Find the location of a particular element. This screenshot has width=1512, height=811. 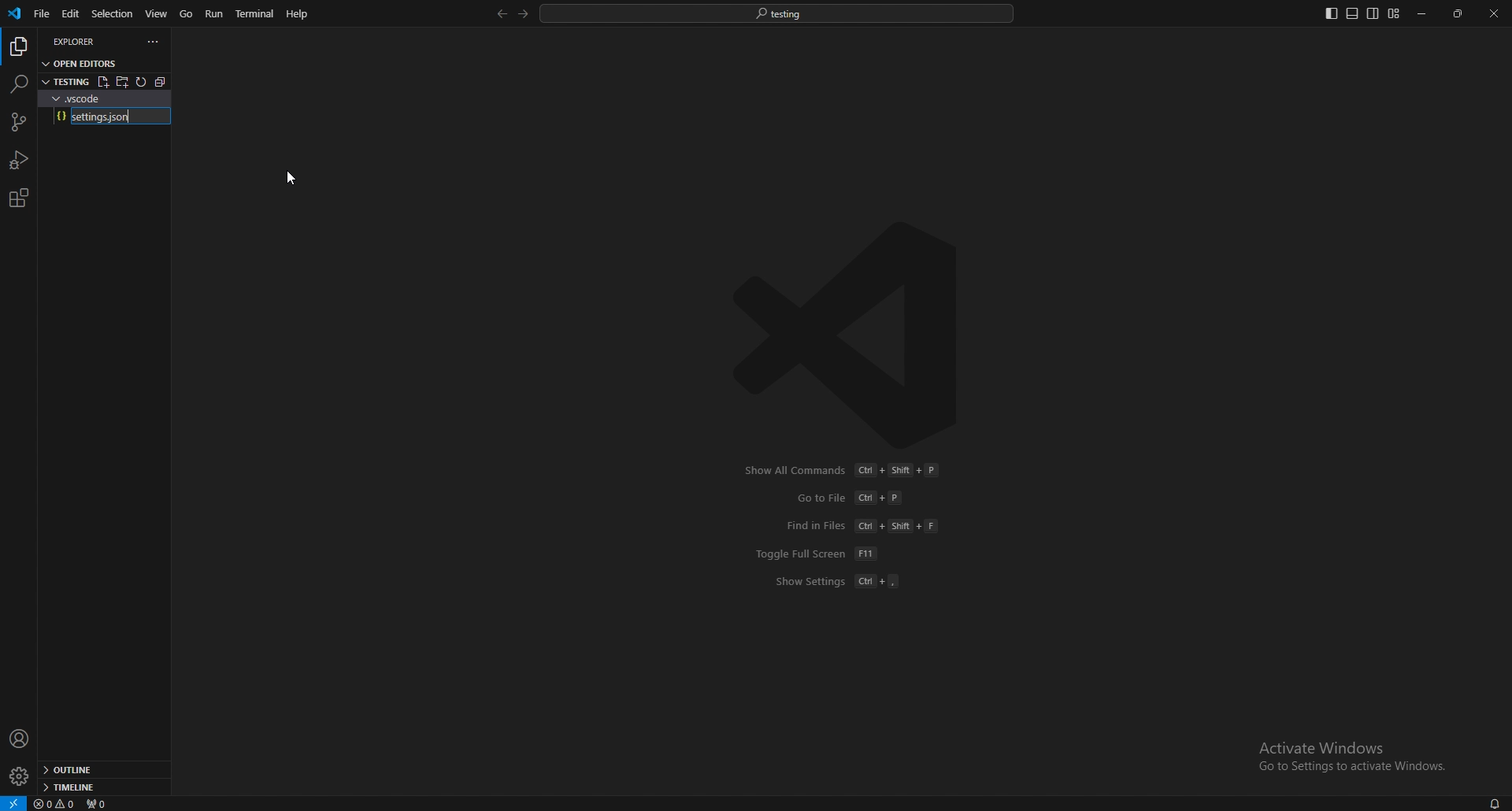

help is located at coordinates (298, 13).